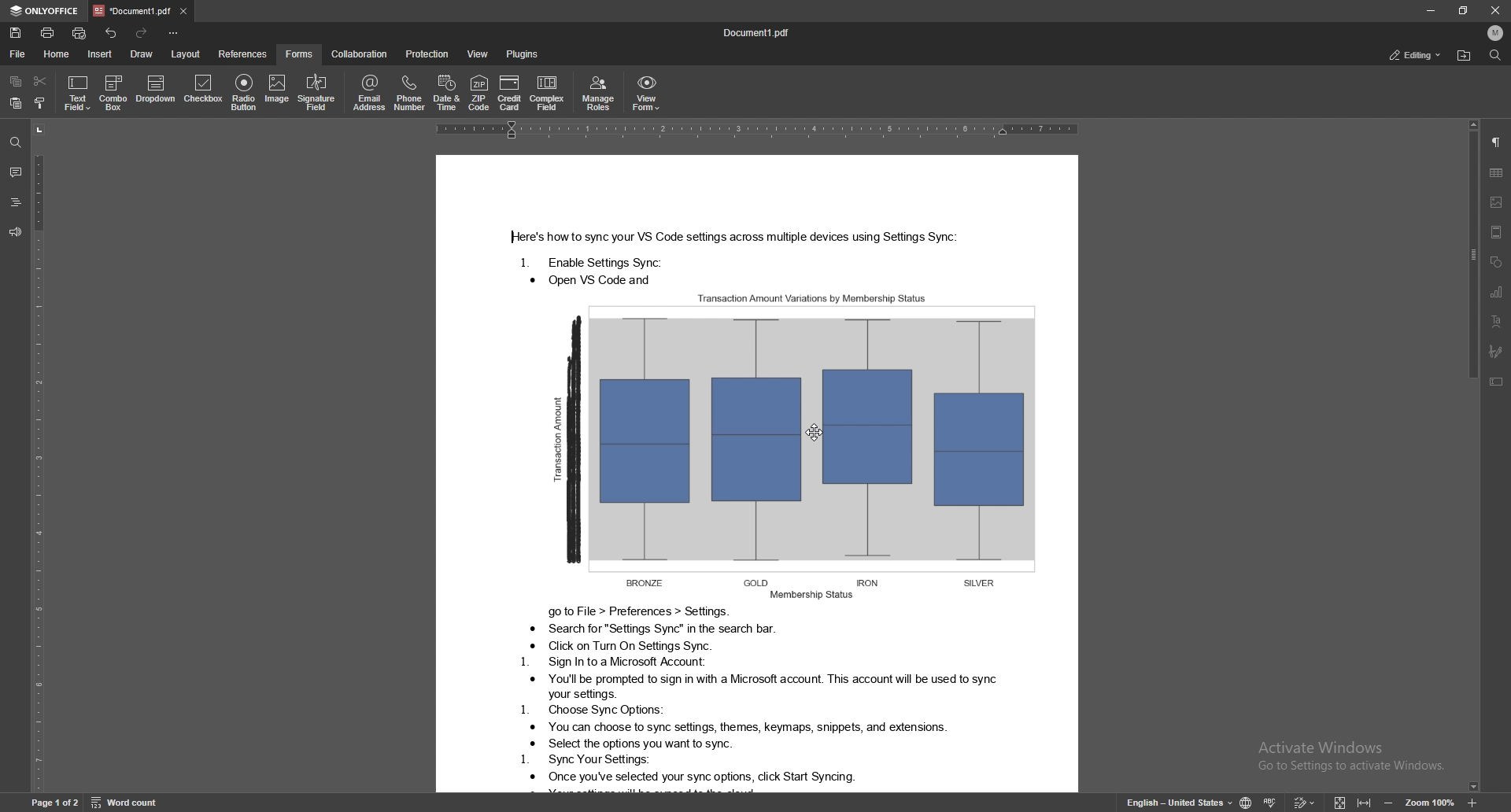 The image size is (1511, 812). What do you see at coordinates (1498, 292) in the screenshot?
I see `chart` at bounding box center [1498, 292].